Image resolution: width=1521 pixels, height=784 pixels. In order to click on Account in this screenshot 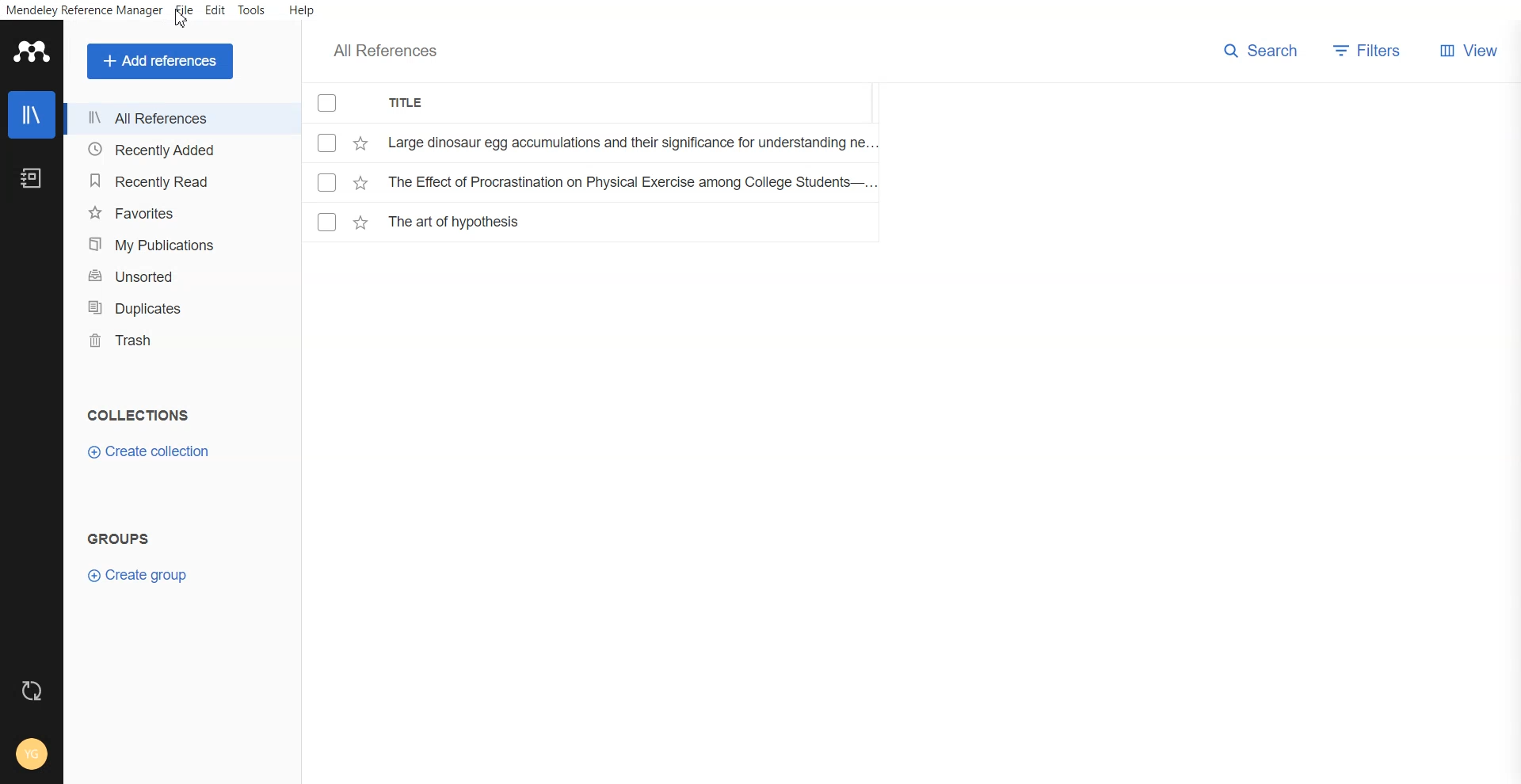, I will do `click(31, 754)`.